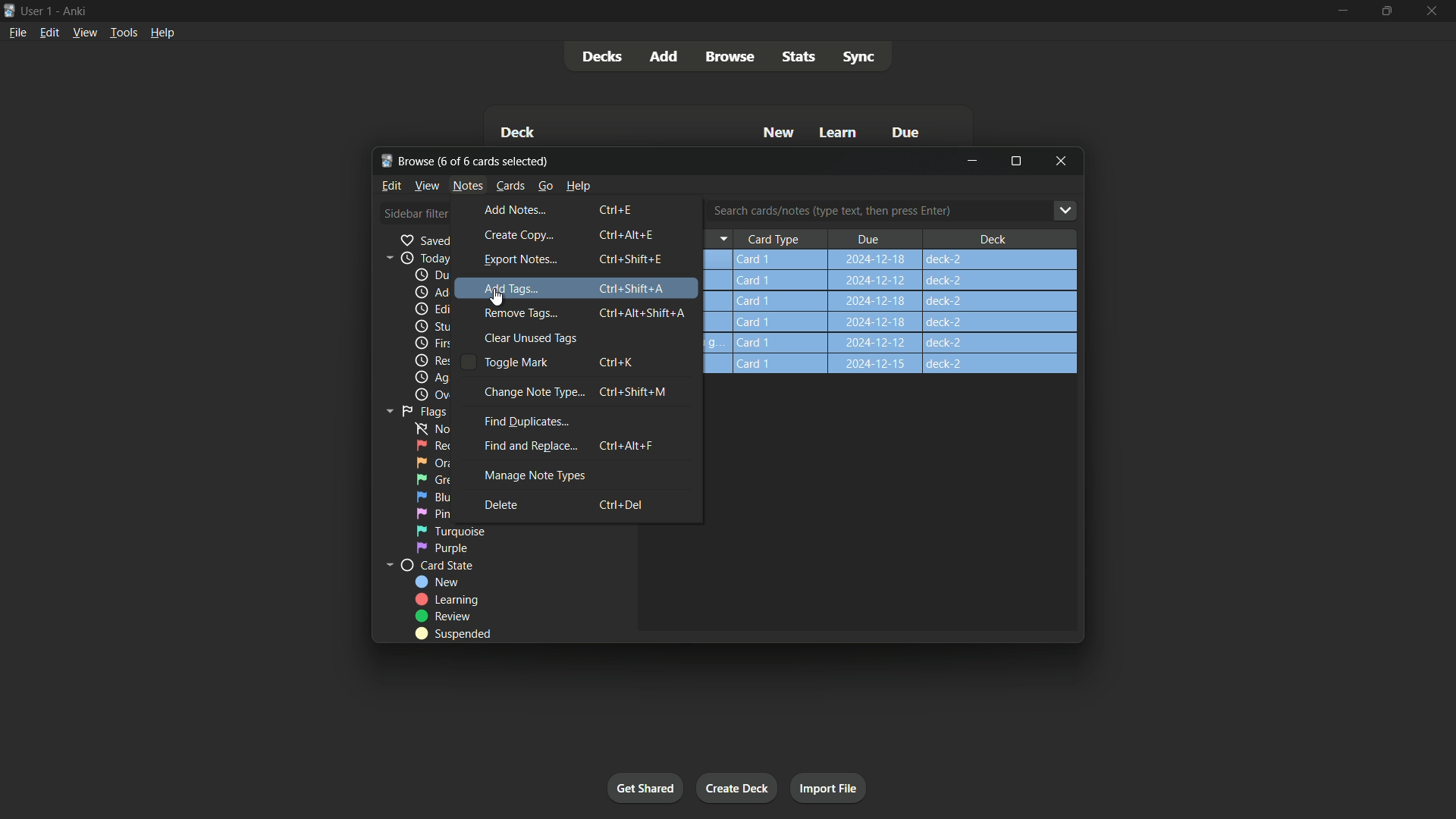 The width and height of the screenshot is (1456, 819). What do you see at coordinates (510, 186) in the screenshot?
I see `Cards` at bounding box center [510, 186].